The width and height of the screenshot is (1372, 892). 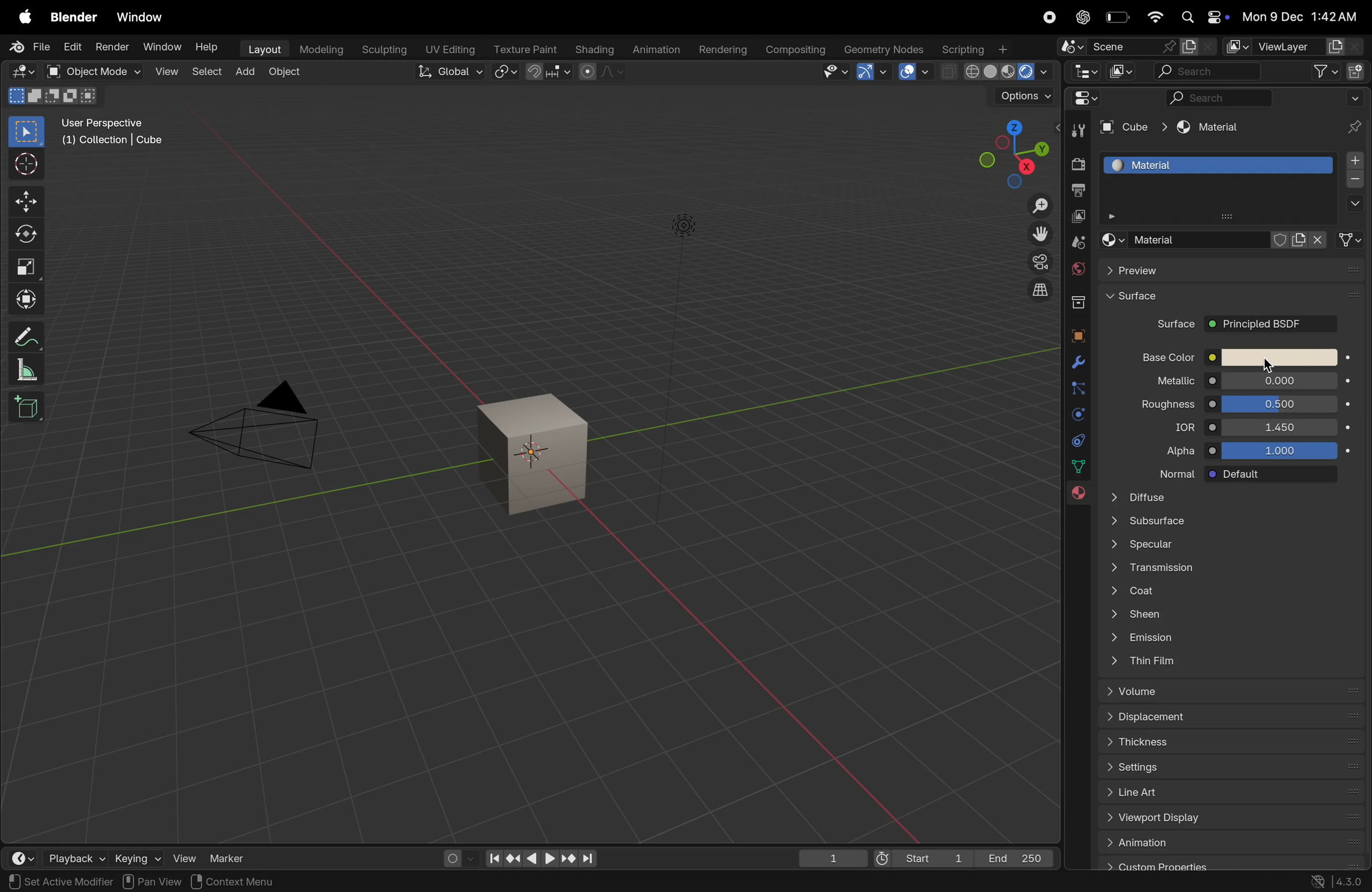 What do you see at coordinates (1206, 128) in the screenshot?
I see `material` at bounding box center [1206, 128].